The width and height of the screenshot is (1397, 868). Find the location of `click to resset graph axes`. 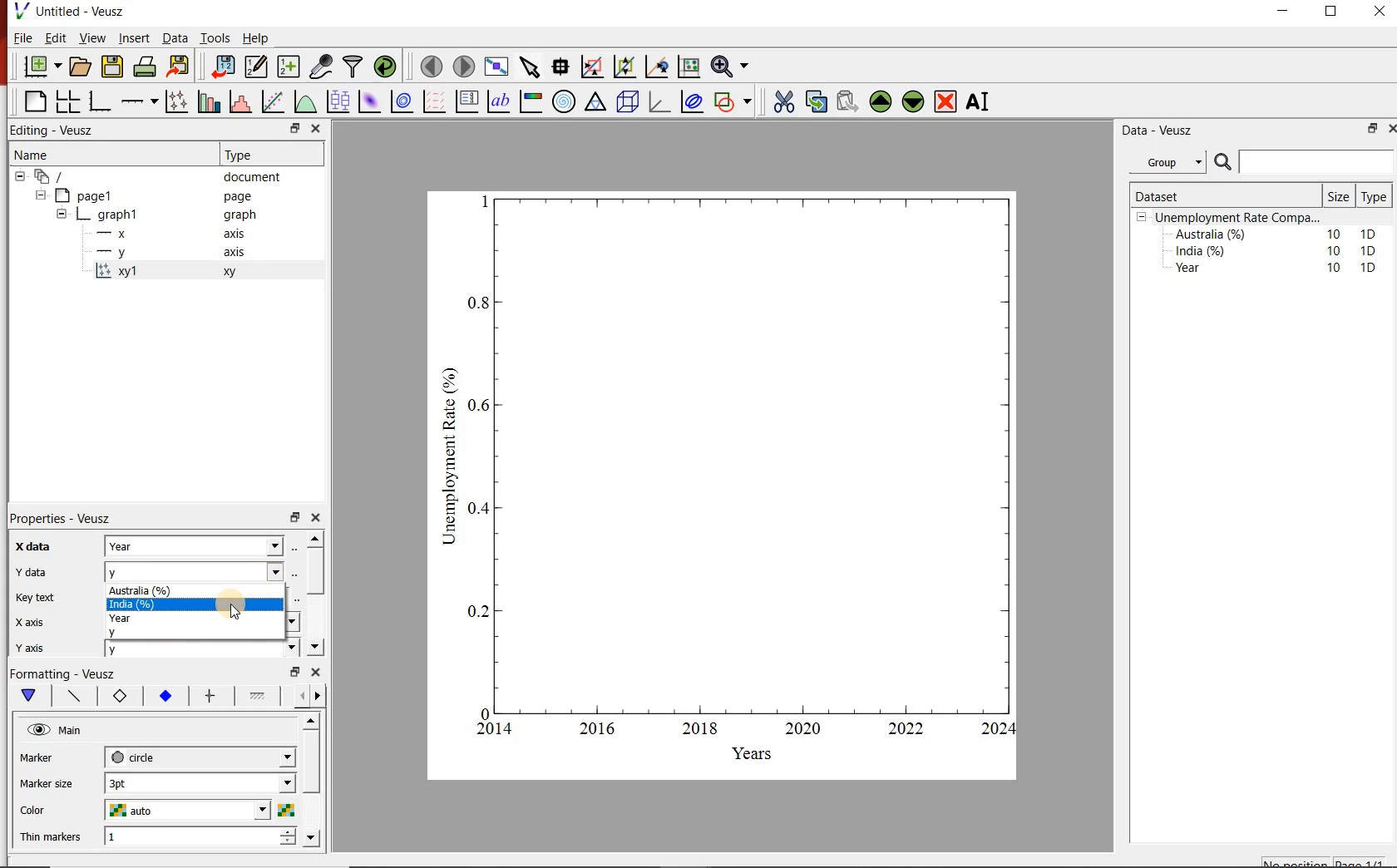

click to resset graph axes is located at coordinates (689, 65).